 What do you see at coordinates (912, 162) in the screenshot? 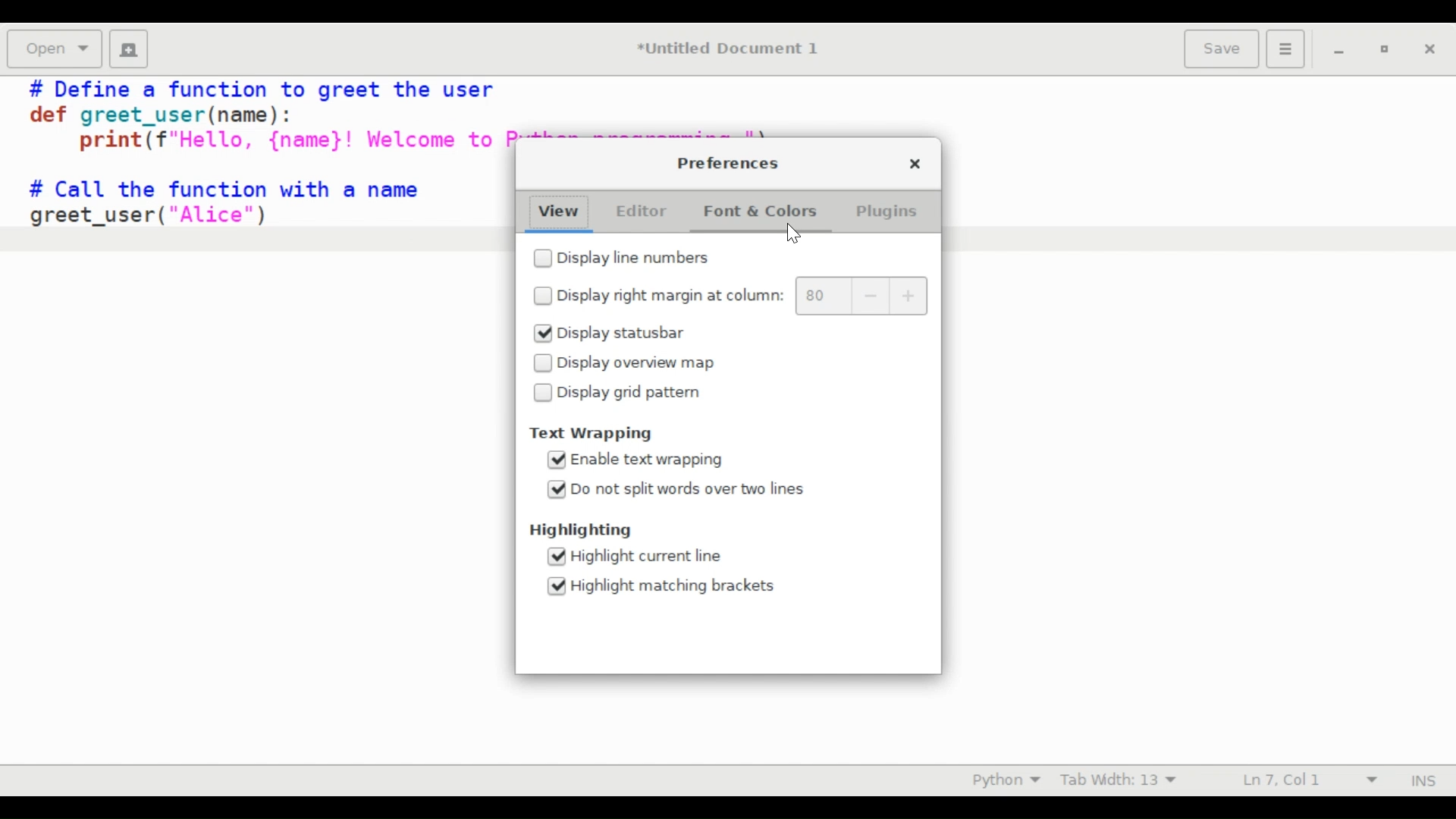
I see `Close` at bounding box center [912, 162].